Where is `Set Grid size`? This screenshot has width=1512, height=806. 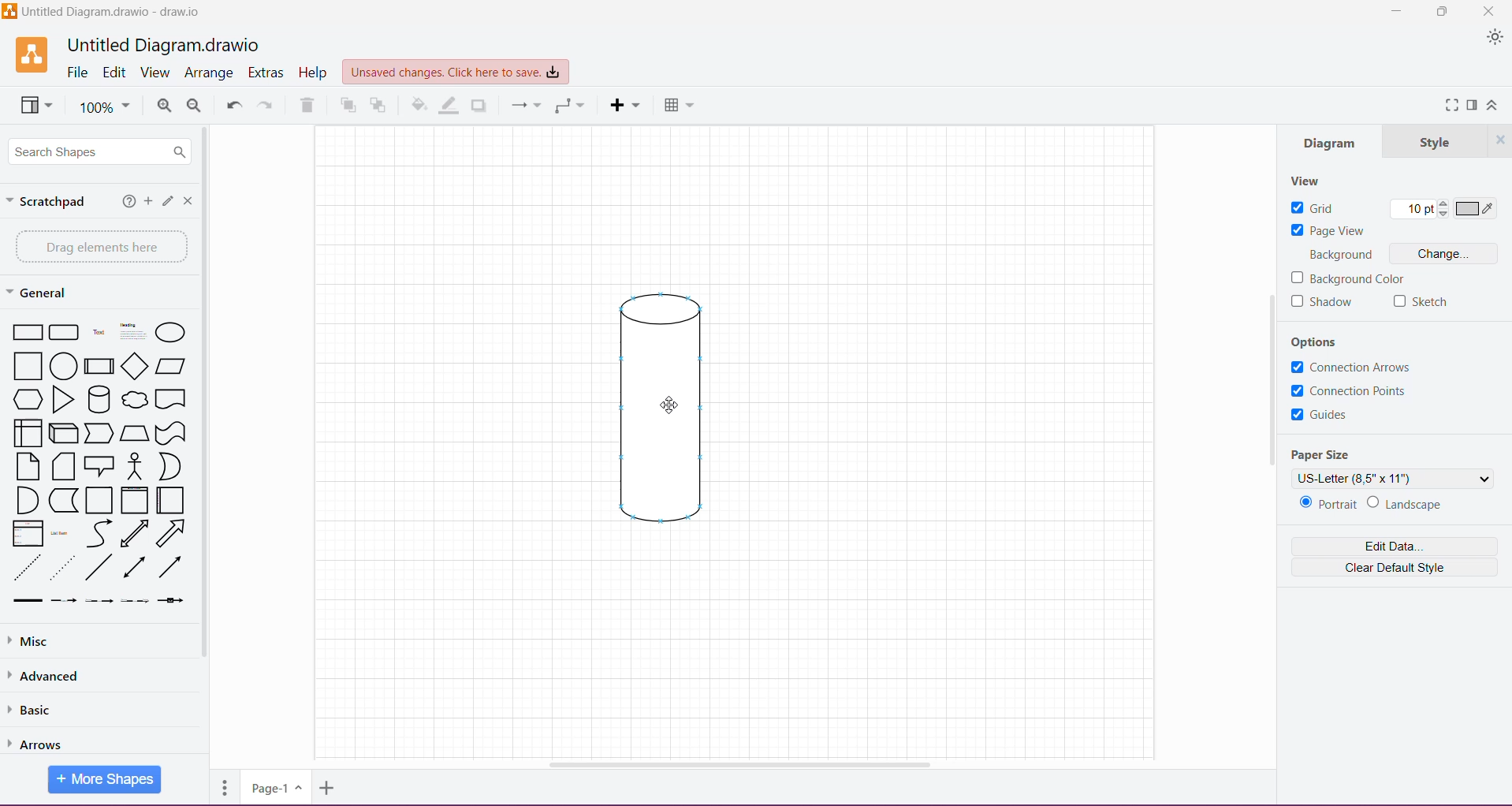 Set Grid size is located at coordinates (1418, 210).